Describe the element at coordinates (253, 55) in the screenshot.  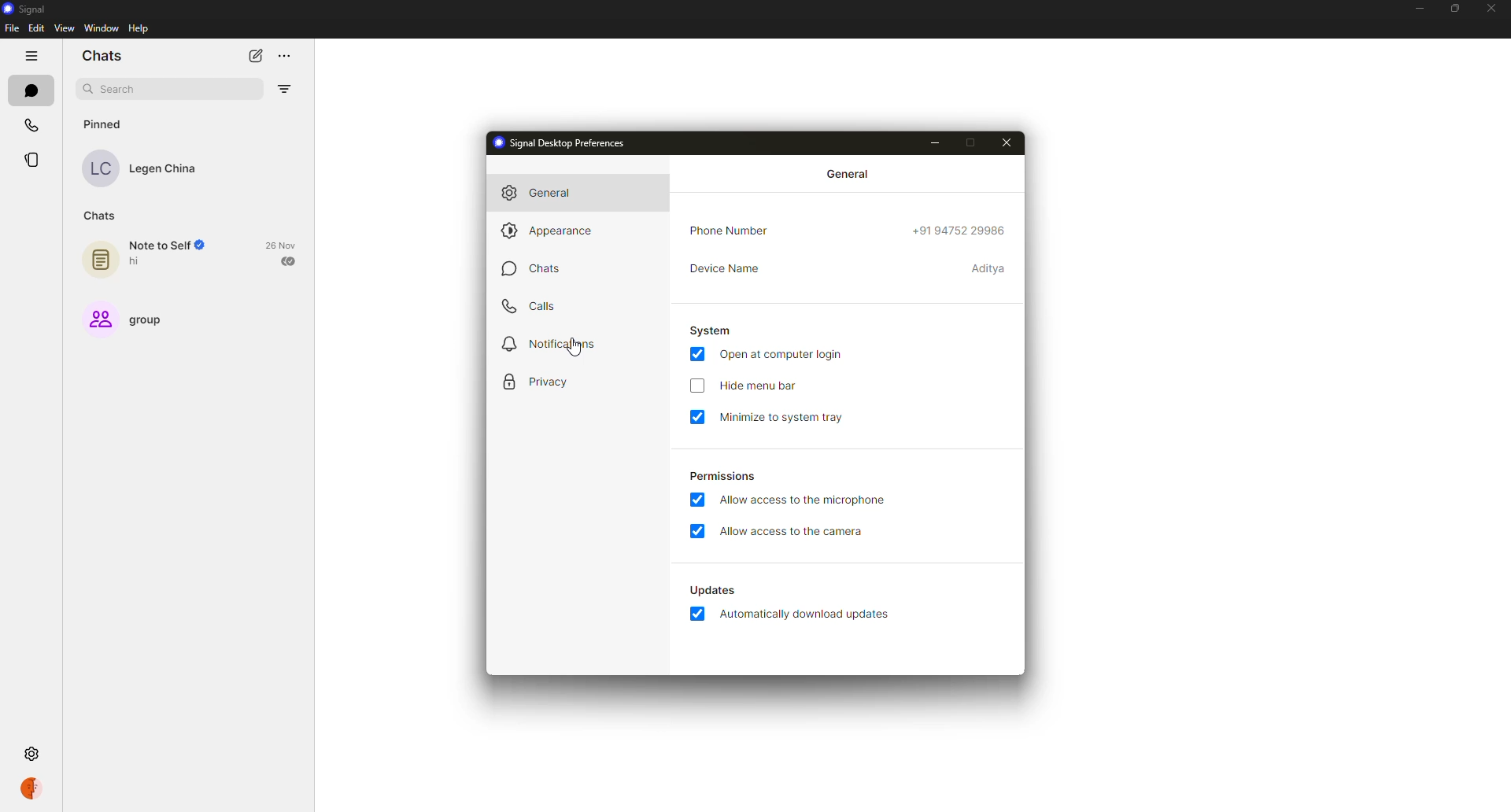
I see `new chat` at that location.